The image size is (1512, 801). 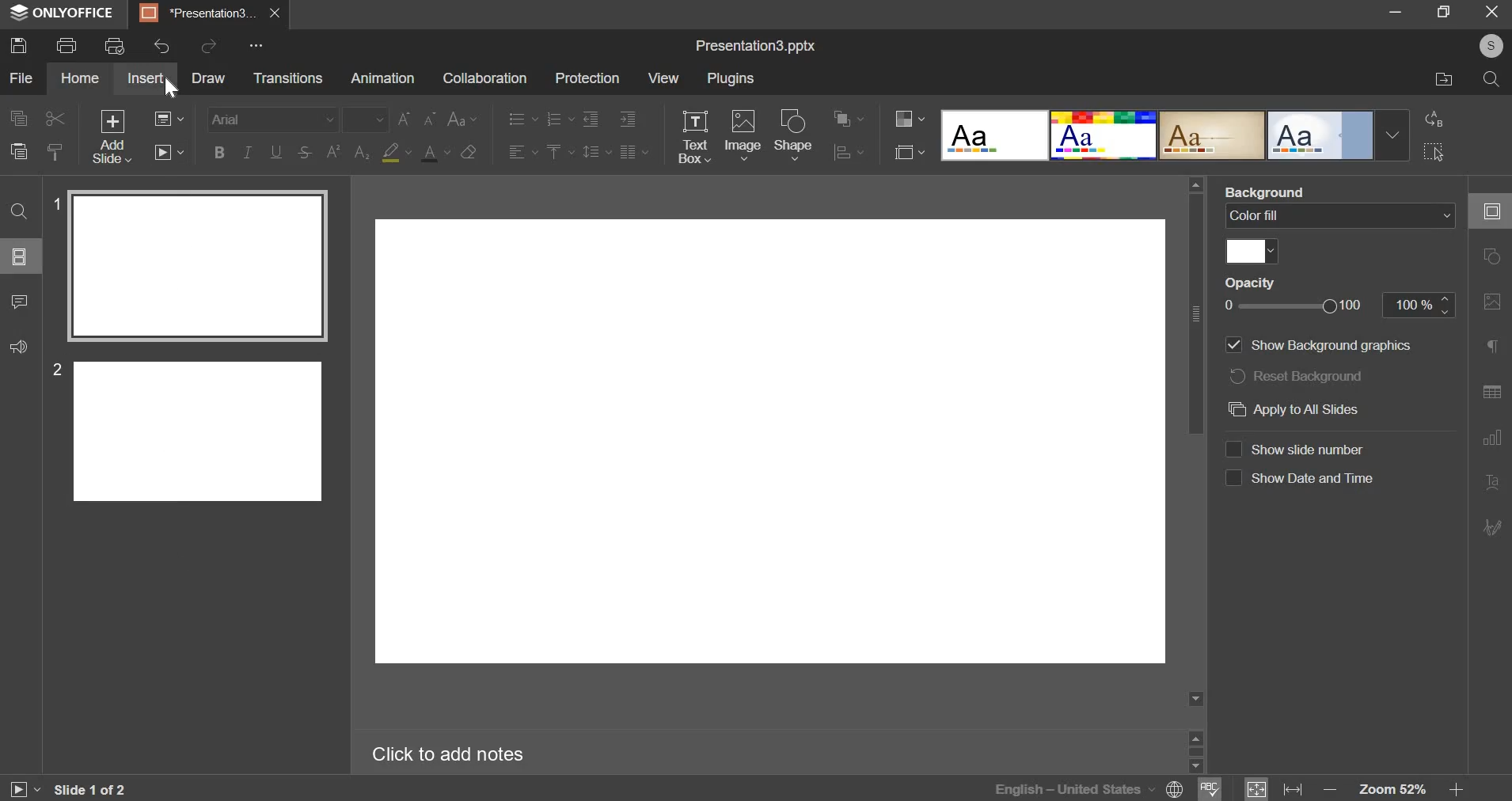 What do you see at coordinates (743, 133) in the screenshot?
I see `image` at bounding box center [743, 133].